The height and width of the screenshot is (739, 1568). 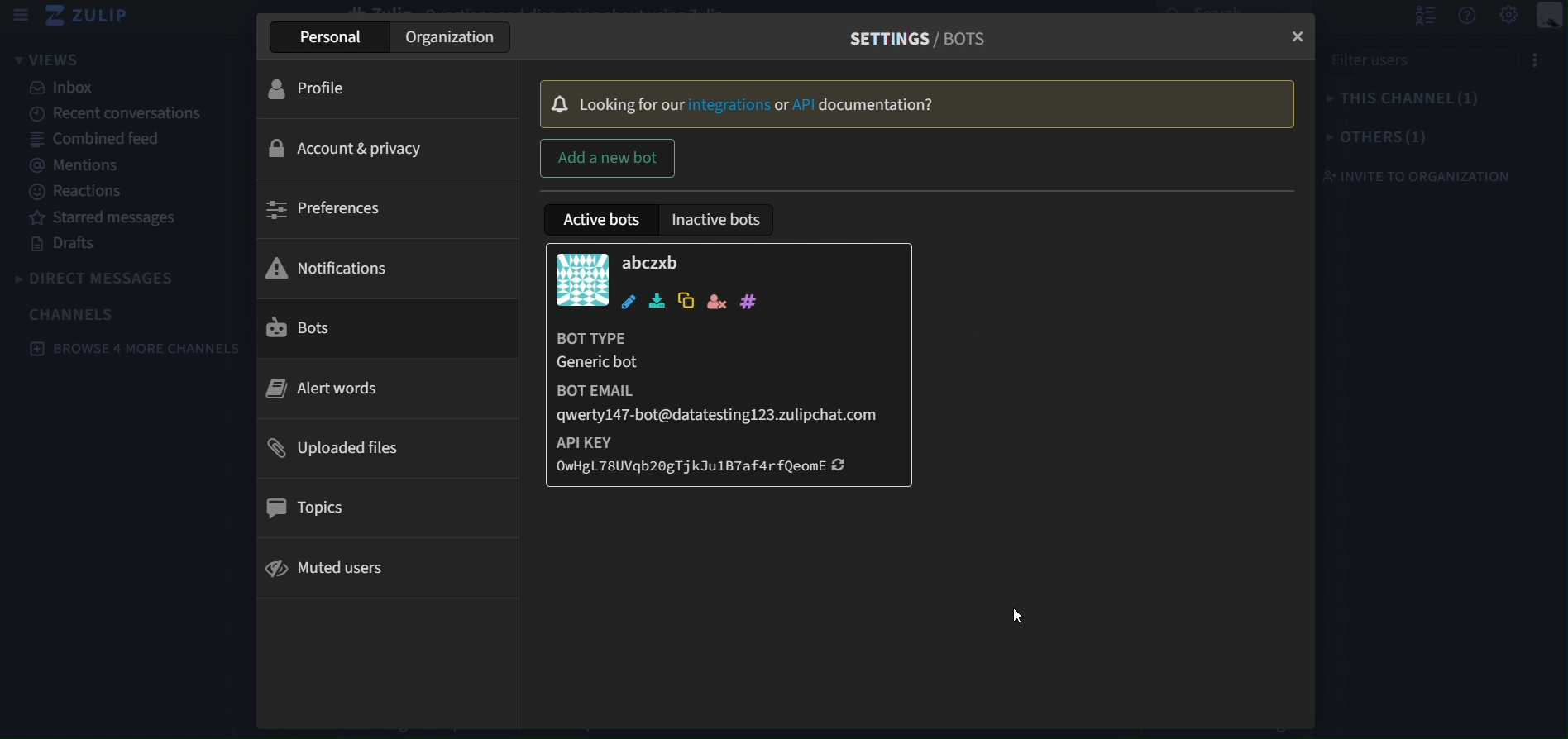 What do you see at coordinates (782, 104) in the screenshot?
I see `or` at bounding box center [782, 104].